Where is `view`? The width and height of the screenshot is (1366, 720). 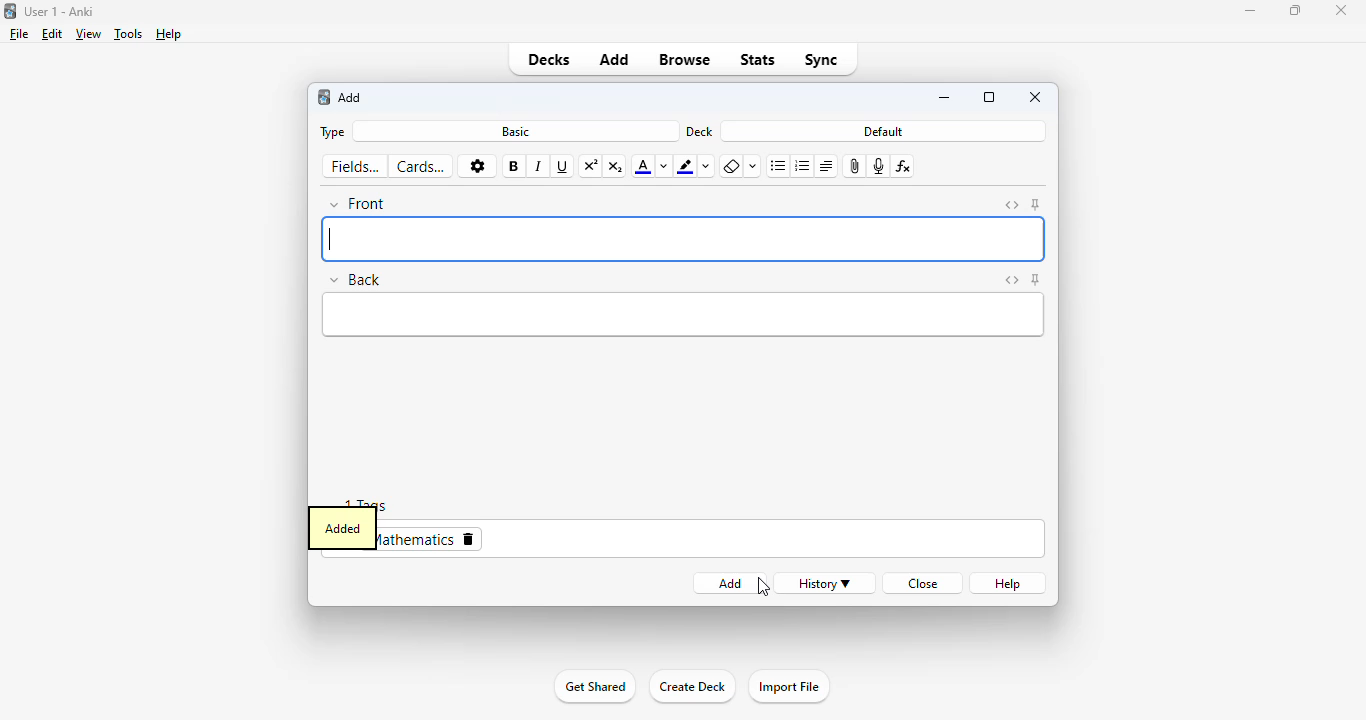 view is located at coordinates (89, 33).